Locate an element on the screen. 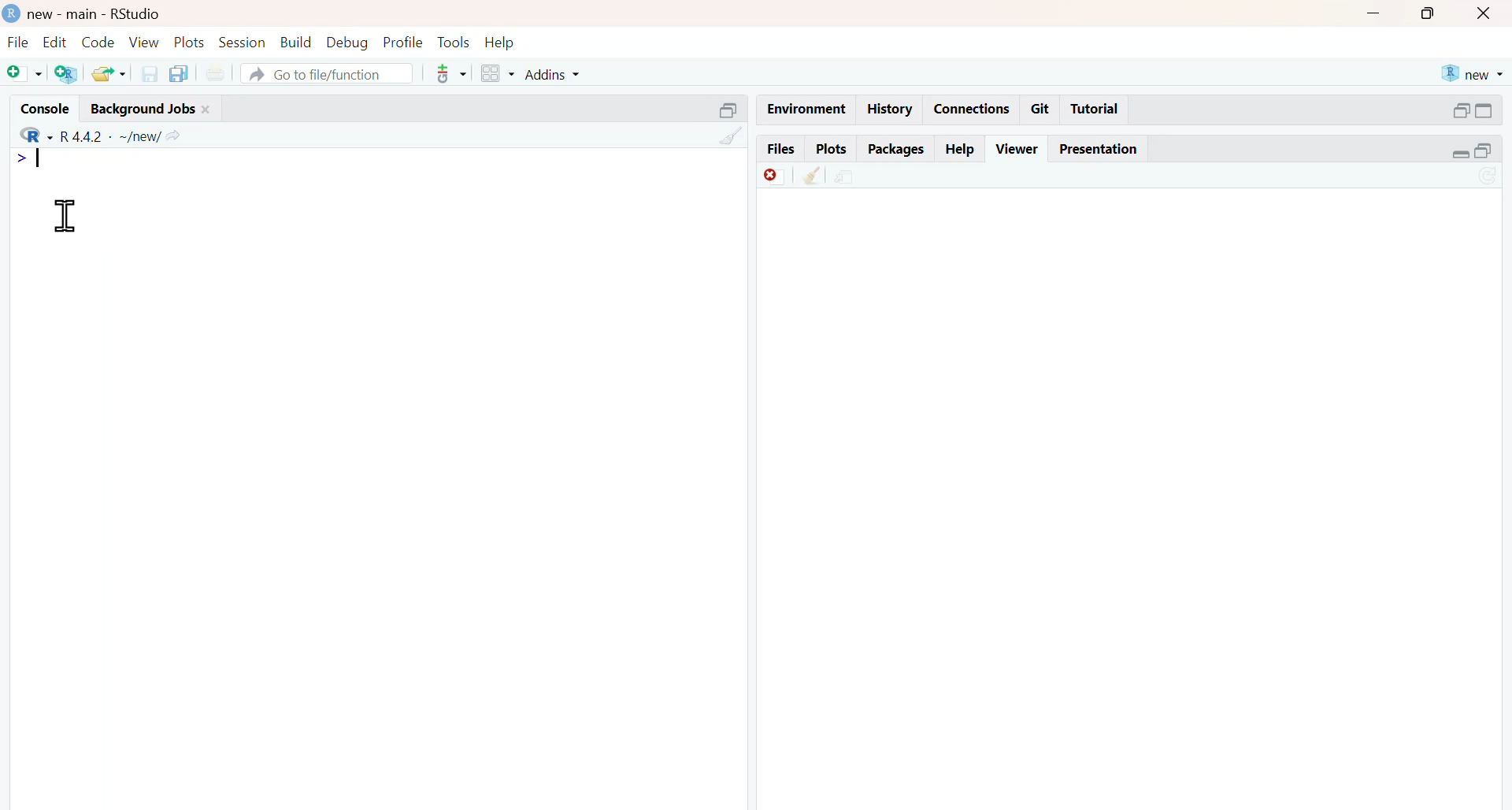 The image size is (1512, 810). print is located at coordinates (216, 75).